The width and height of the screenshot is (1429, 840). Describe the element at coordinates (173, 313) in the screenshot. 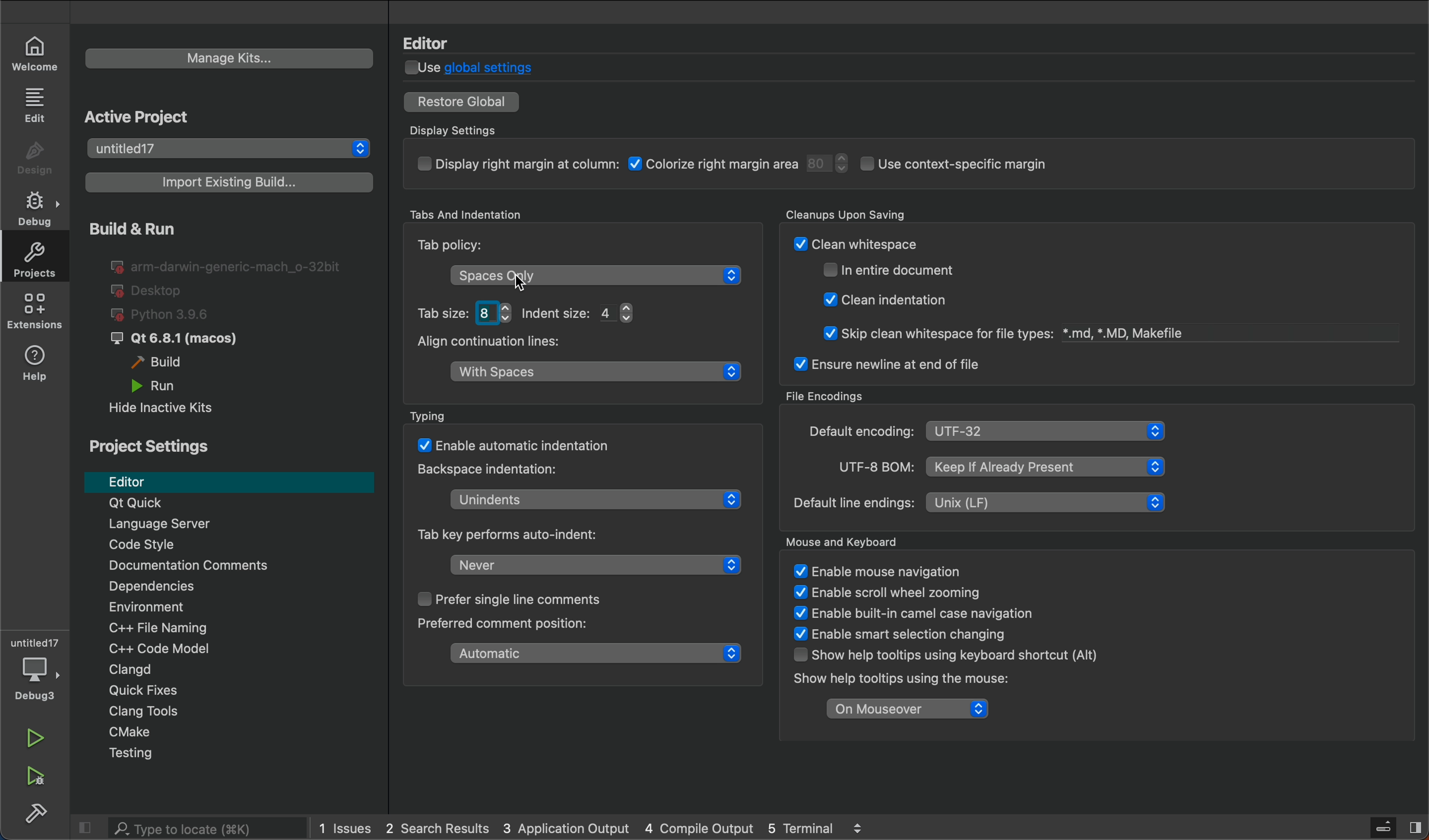

I see `python ` at that location.